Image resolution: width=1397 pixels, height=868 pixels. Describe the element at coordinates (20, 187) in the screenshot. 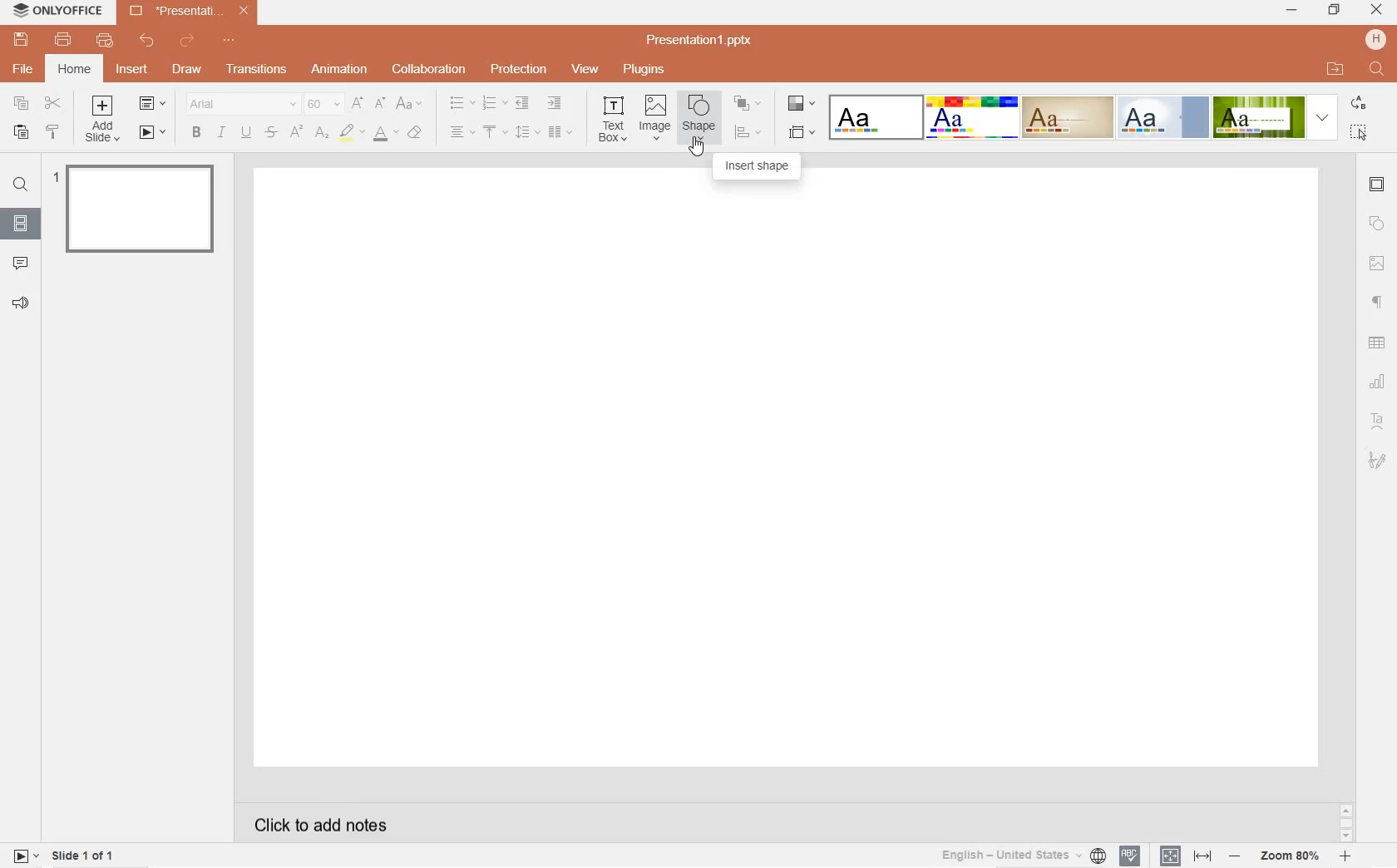

I see `find` at that location.